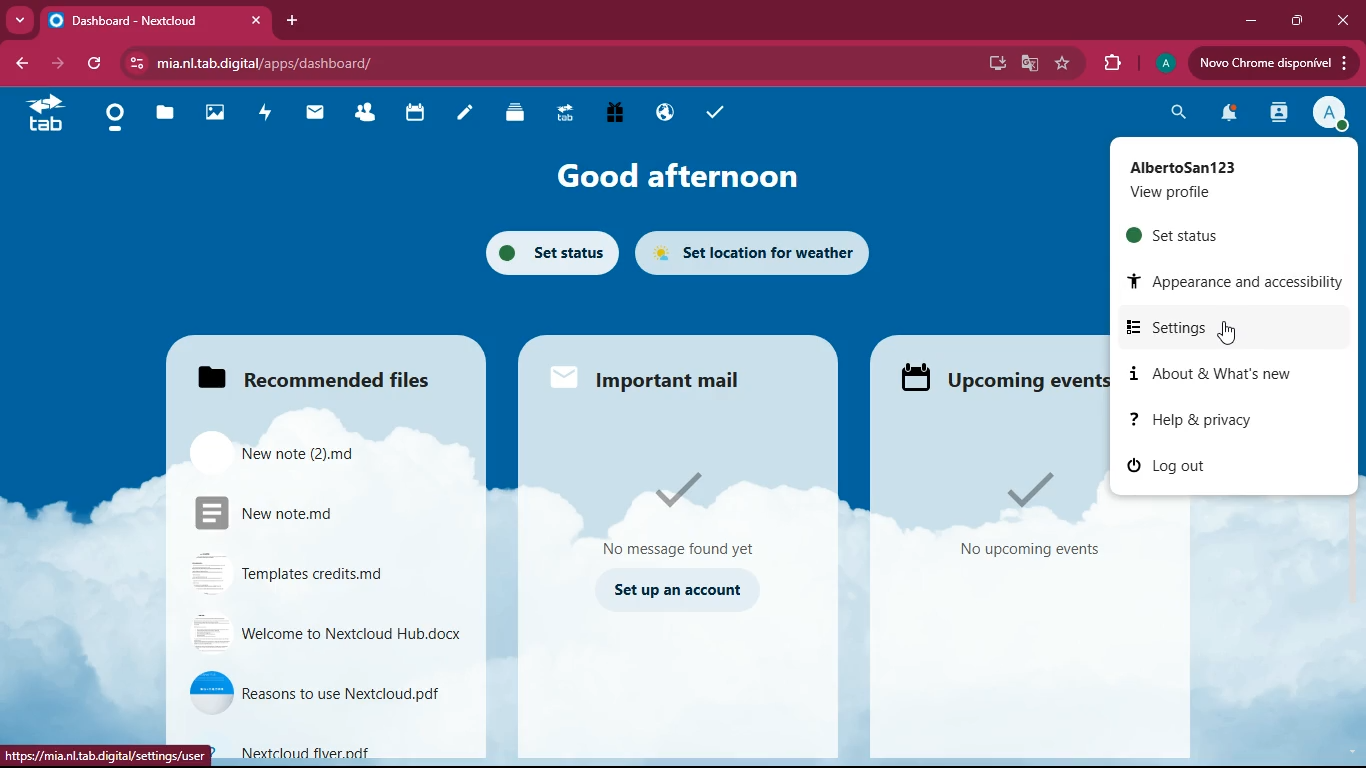 This screenshot has width=1366, height=768. Describe the element at coordinates (1293, 22) in the screenshot. I see `maximize` at that location.